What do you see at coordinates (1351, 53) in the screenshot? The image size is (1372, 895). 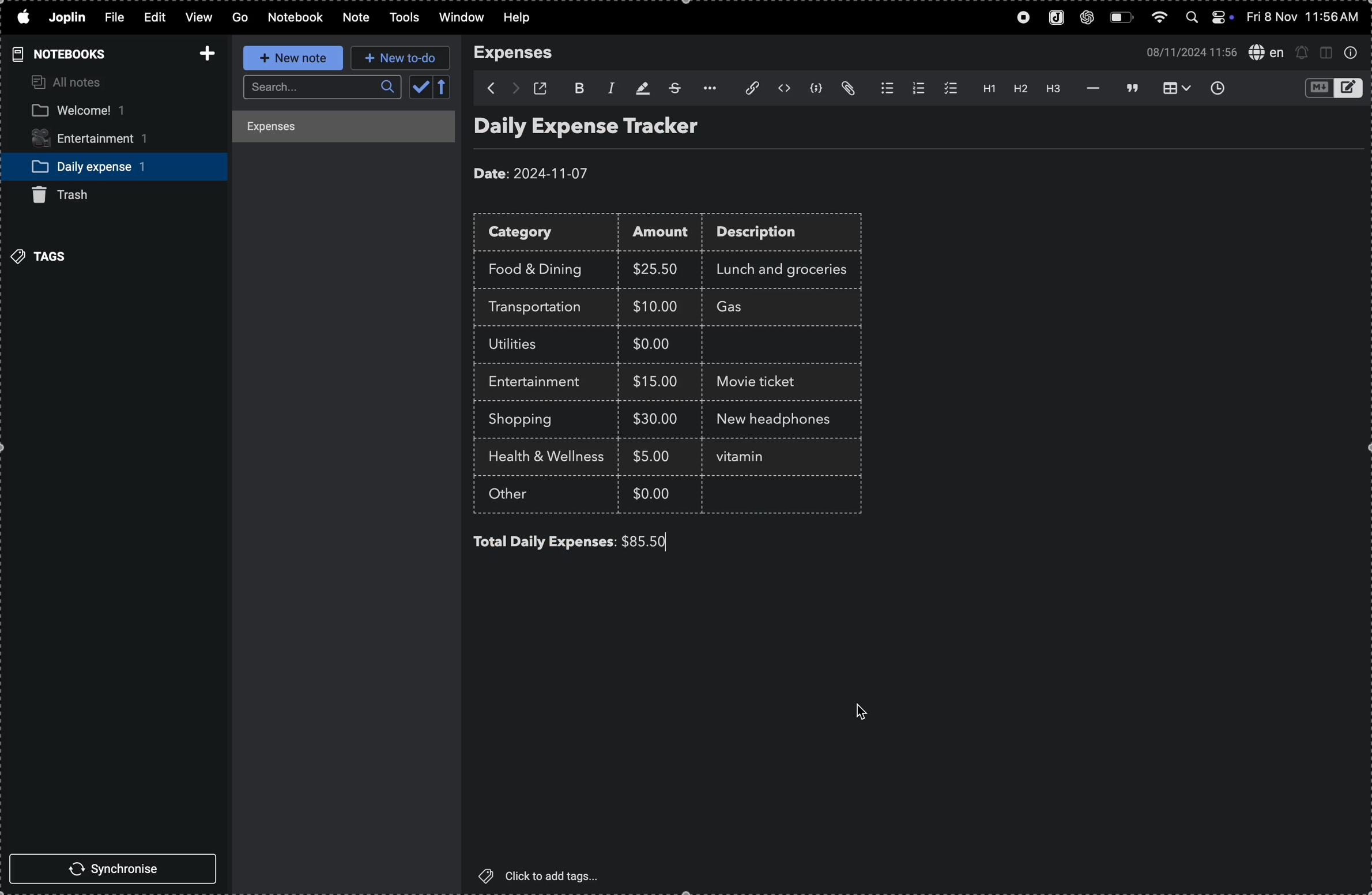 I see `info` at bounding box center [1351, 53].